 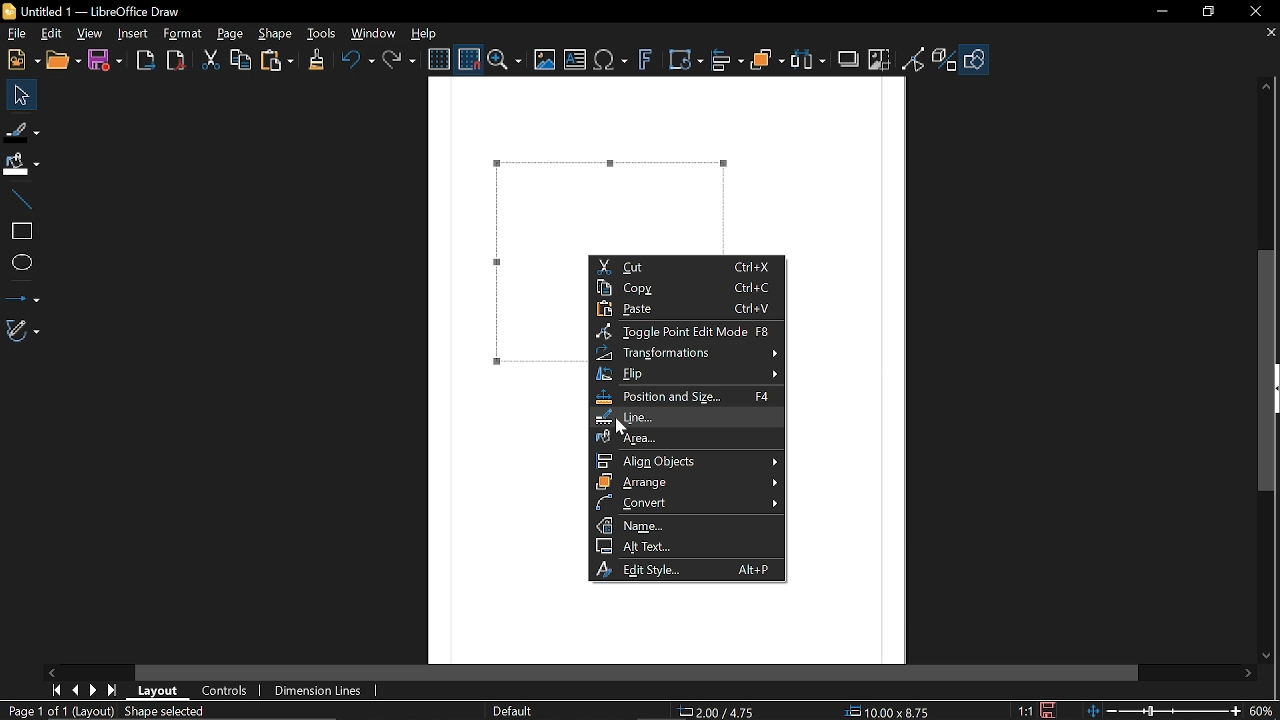 I want to click on Copy, so click(x=239, y=60).